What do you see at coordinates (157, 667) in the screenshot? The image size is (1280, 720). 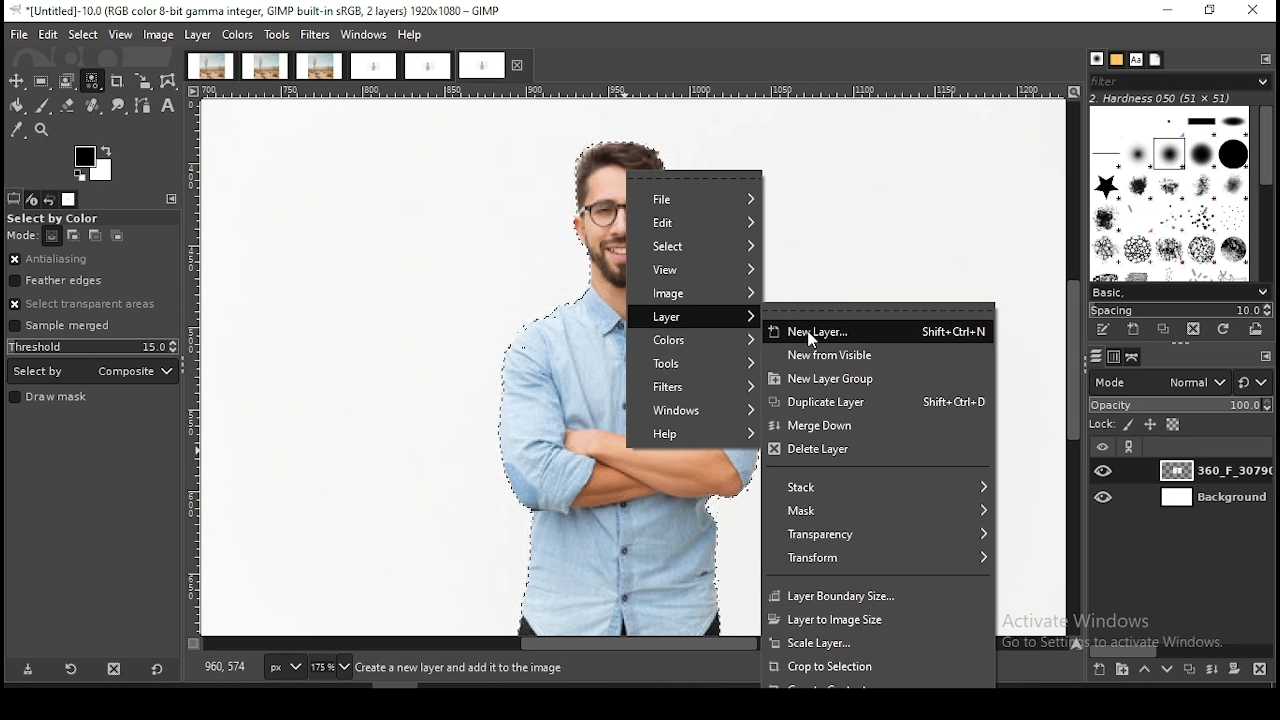 I see `reset` at bounding box center [157, 667].